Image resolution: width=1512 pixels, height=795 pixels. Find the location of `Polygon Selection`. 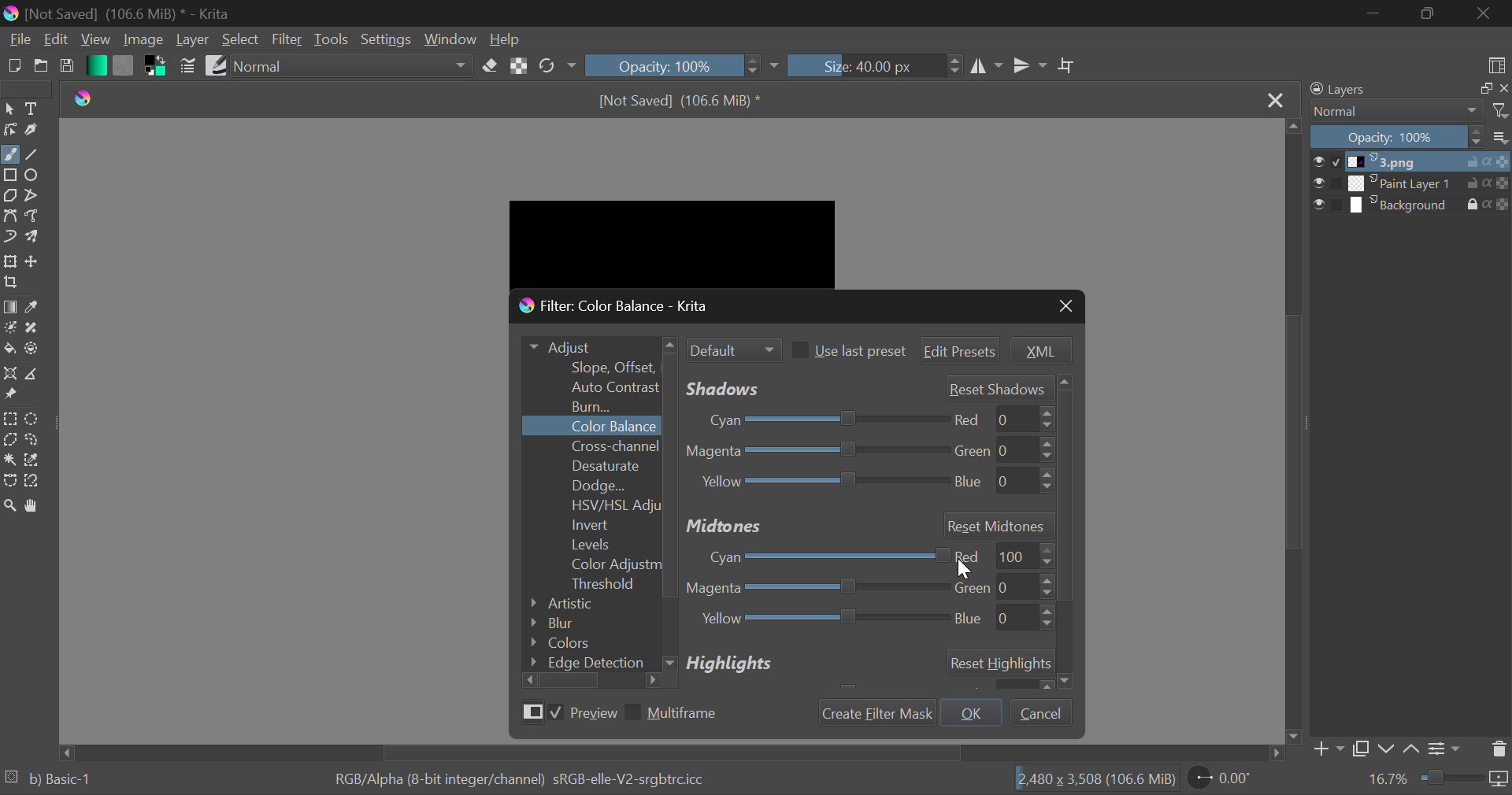

Polygon Selection is located at coordinates (10, 441).